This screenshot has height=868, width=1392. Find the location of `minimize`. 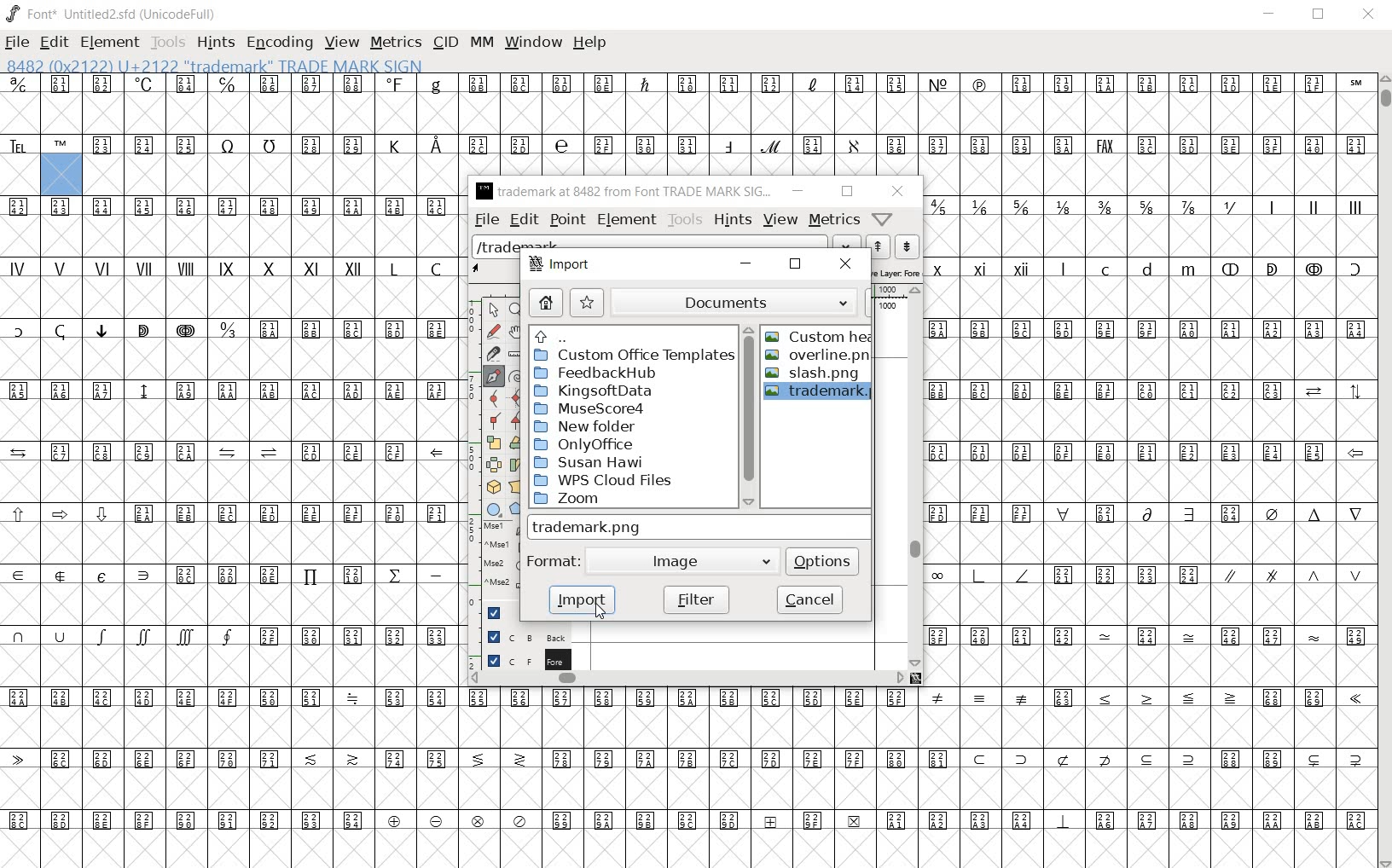

minimize is located at coordinates (798, 191).